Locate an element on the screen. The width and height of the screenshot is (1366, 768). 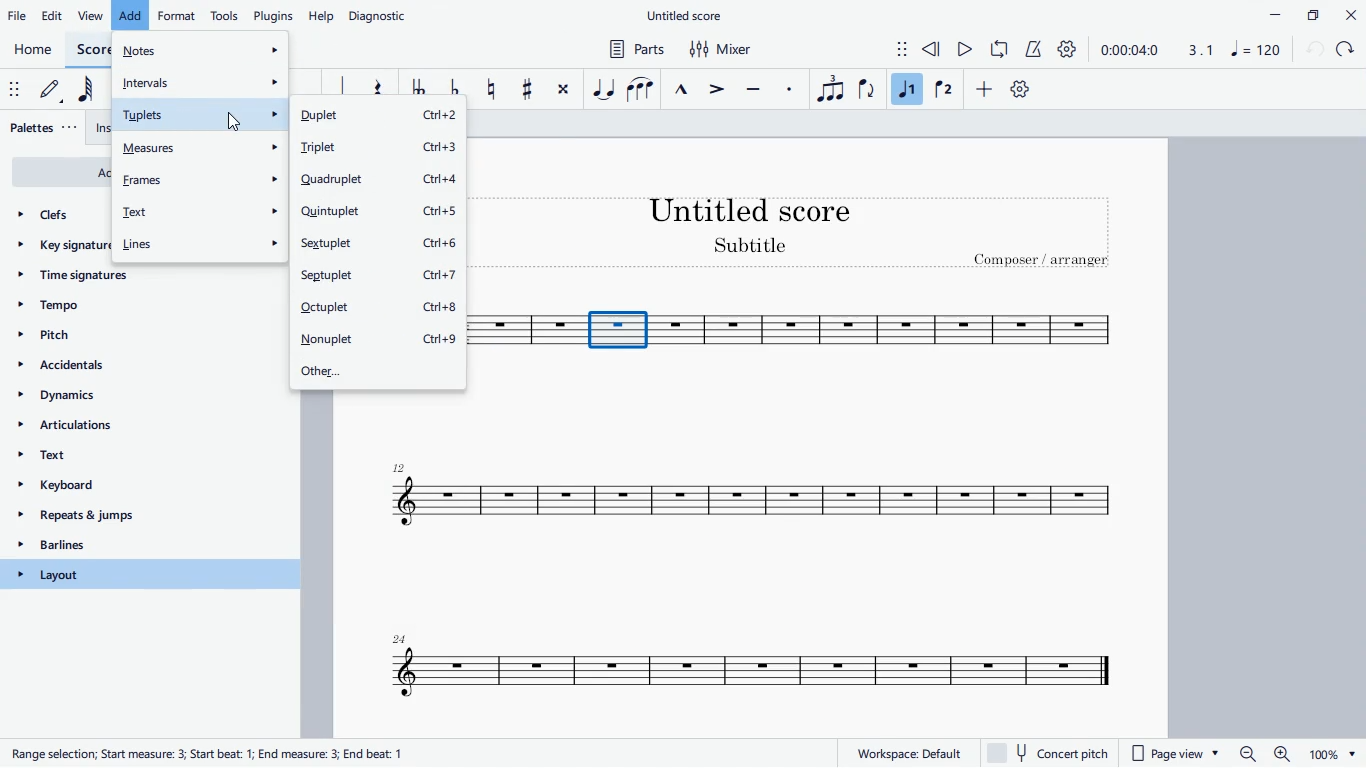
score is located at coordinates (735, 668).